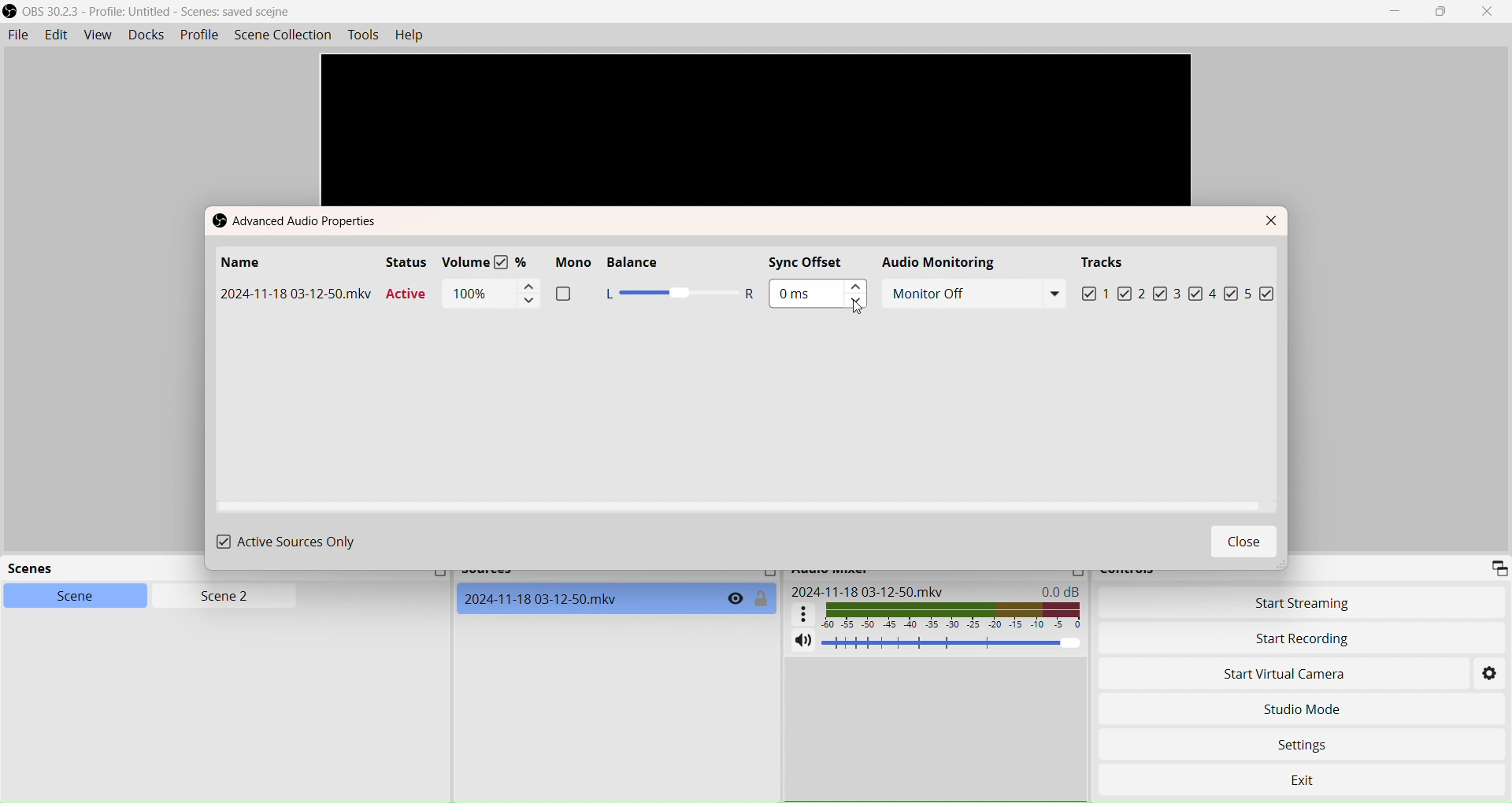  I want to click on Docks, so click(144, 34).